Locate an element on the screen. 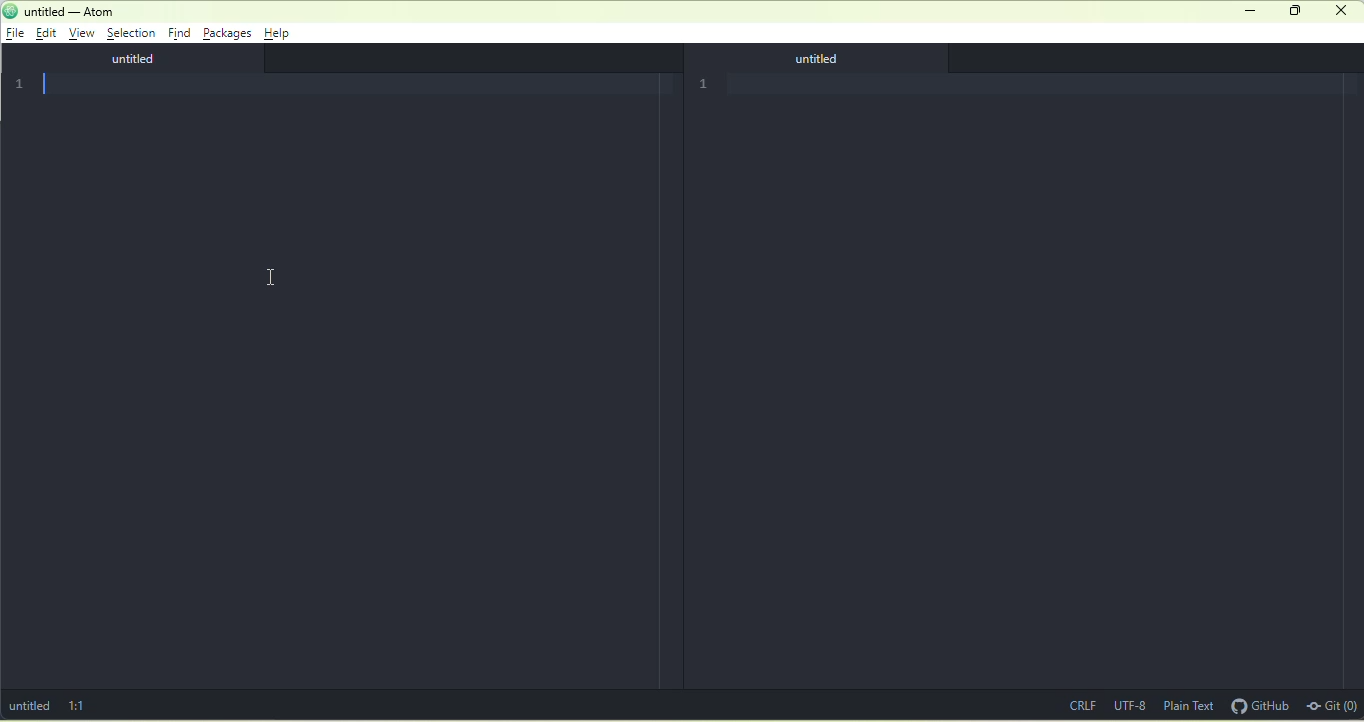 The width and height of the screenshot is (1364, 722). minimize is located at coordinates (1251, 11).